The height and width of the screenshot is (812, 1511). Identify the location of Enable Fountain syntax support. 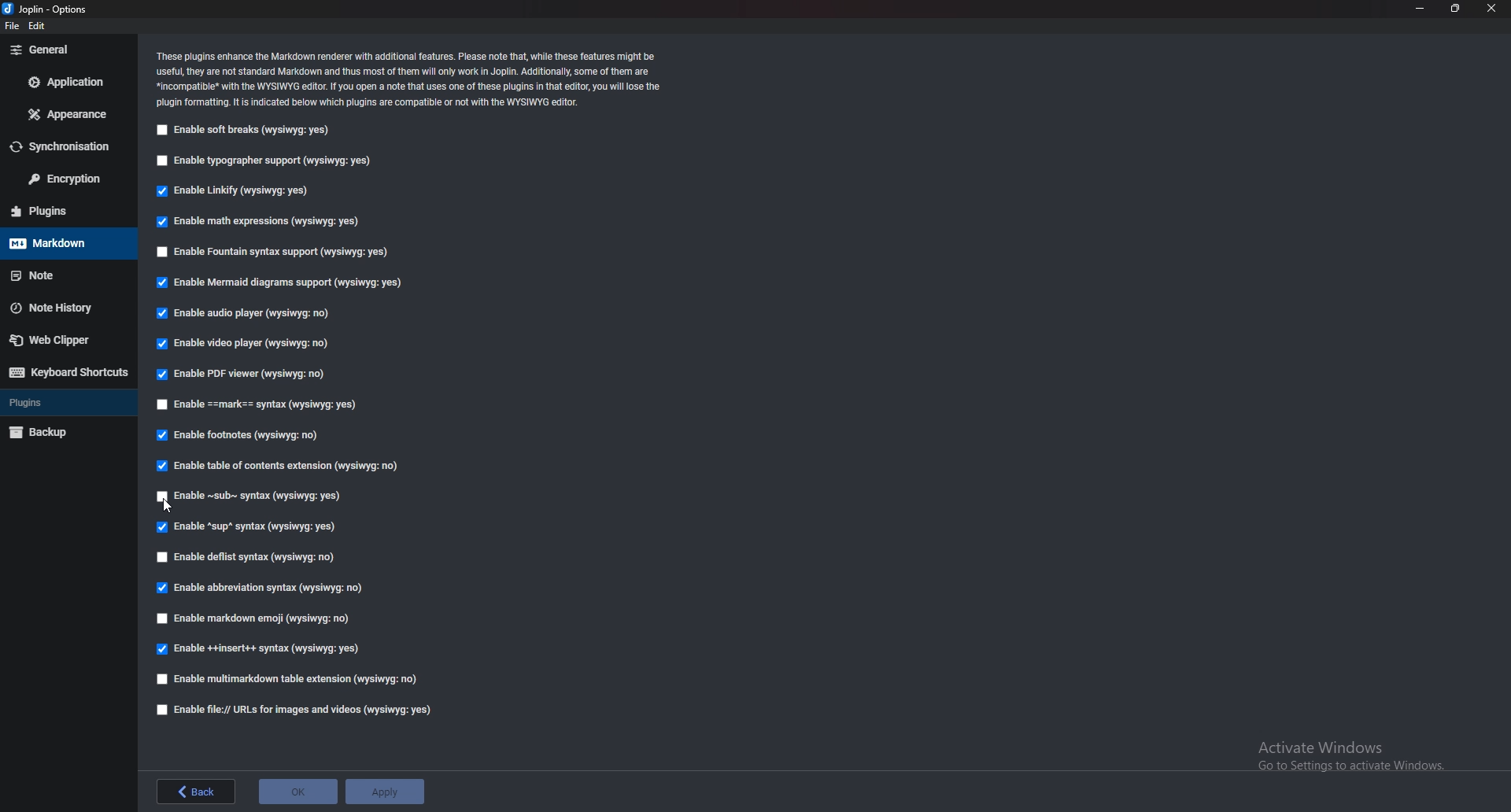
(278, 252).